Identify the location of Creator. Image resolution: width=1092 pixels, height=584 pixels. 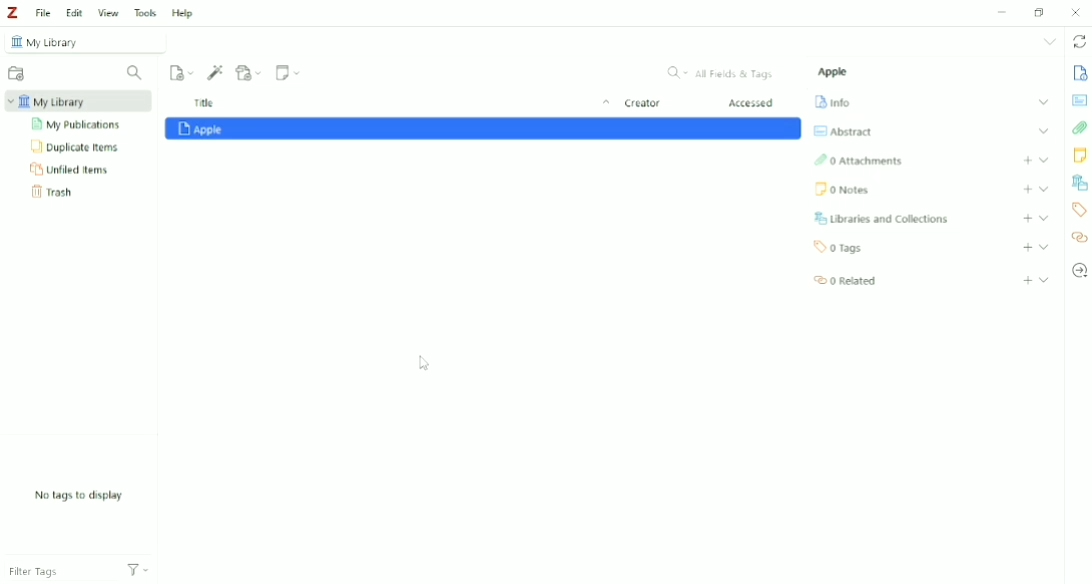
(642, 105).